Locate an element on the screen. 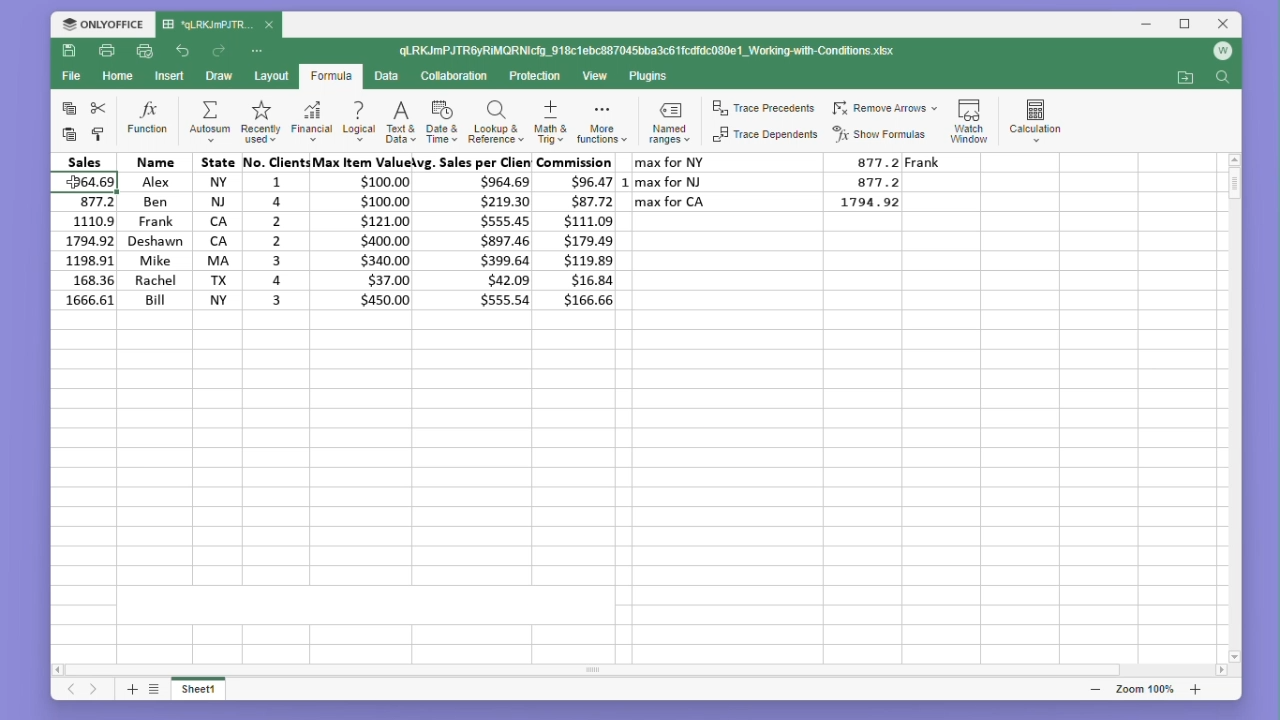 The image size is (1280, 720). max item value is located at coordinates (359, 231).